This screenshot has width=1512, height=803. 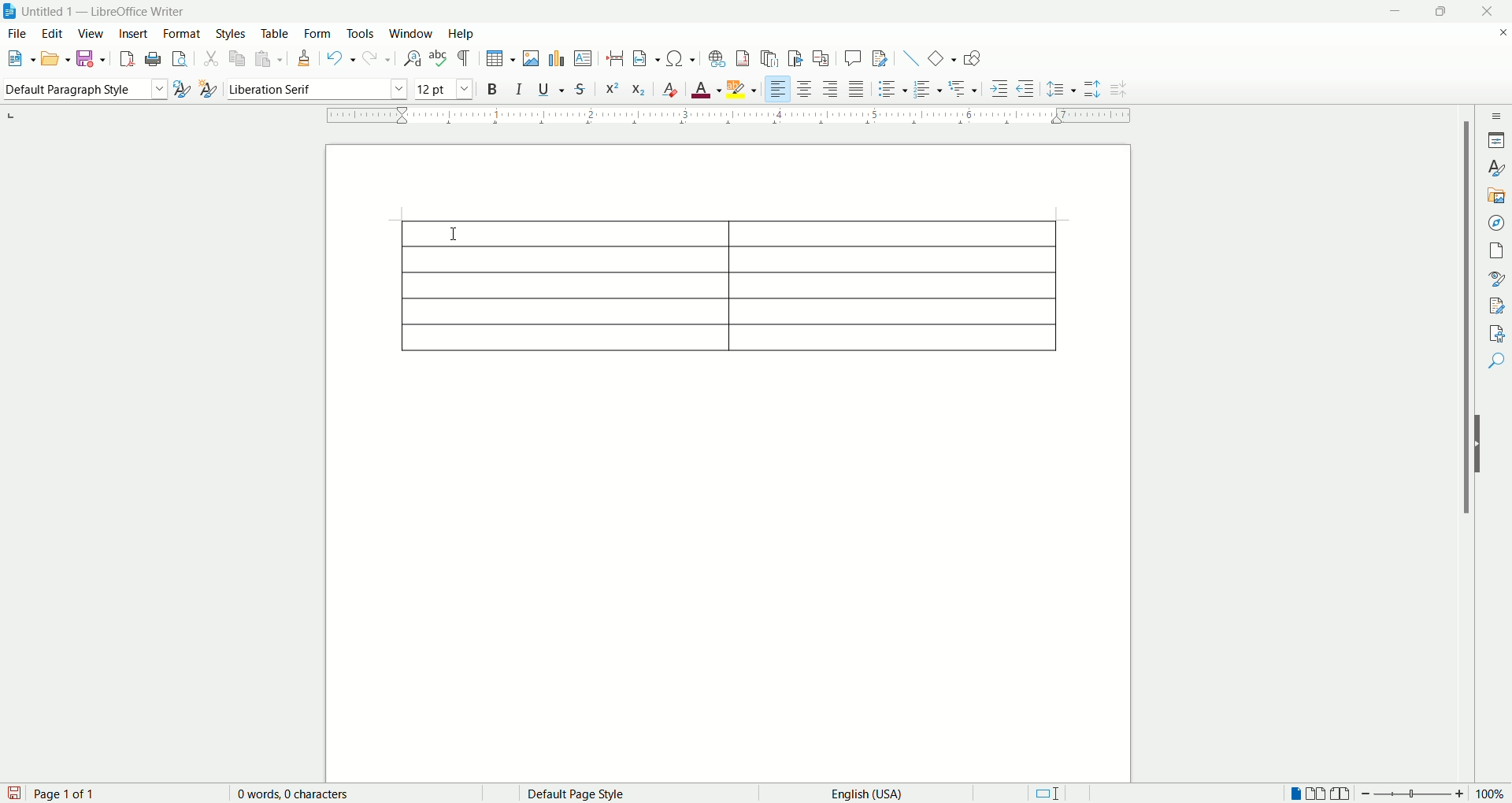 I want to click on page style, so click(x=611, y=794).